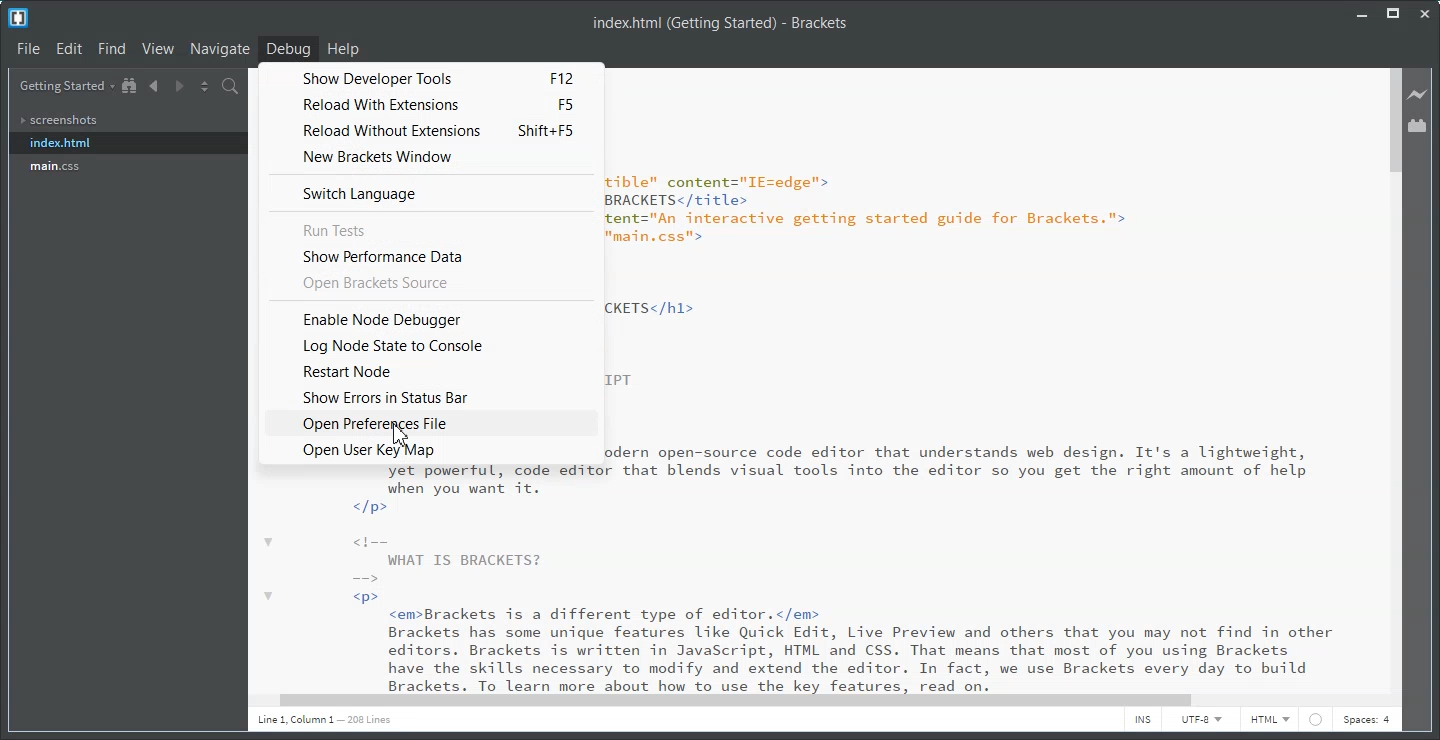  I want to click on Live Preview, so click(1418, 94).